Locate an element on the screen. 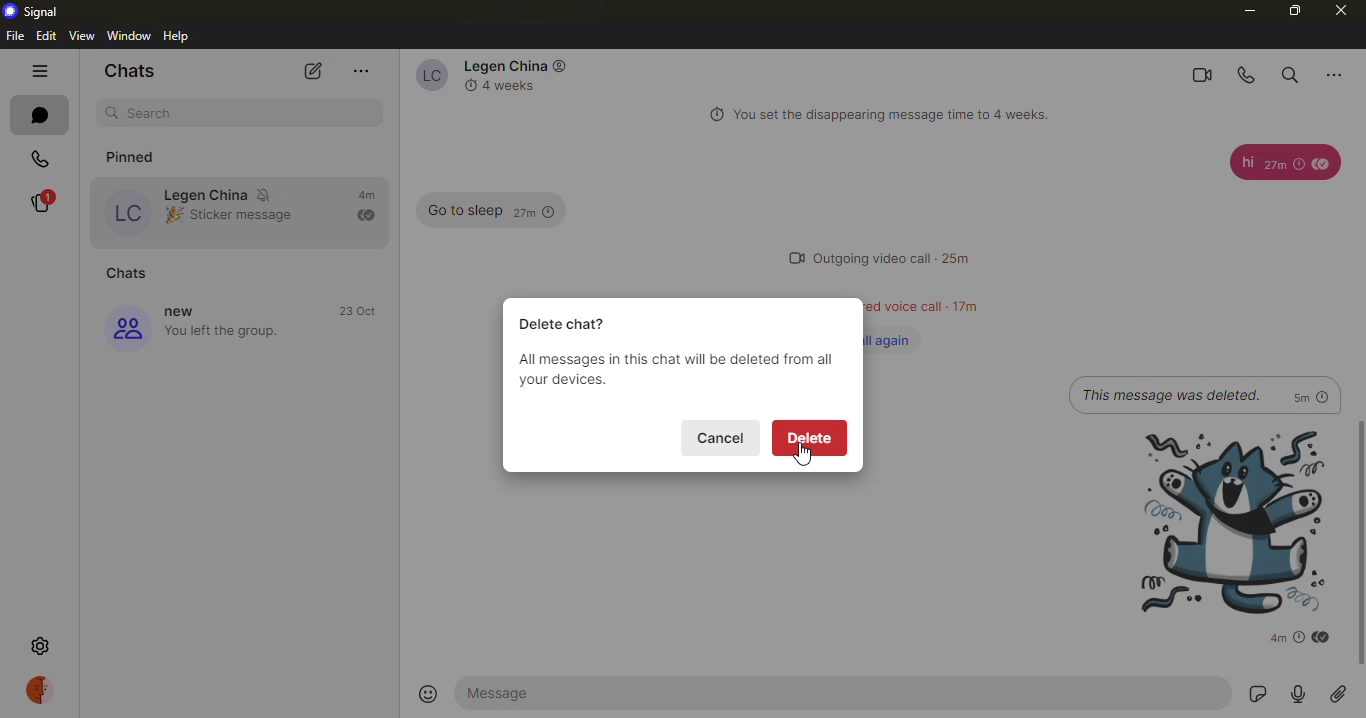 Image resolution: width=1366 pixels, height=718 pixels. time is located at coordinates (1284, 165).